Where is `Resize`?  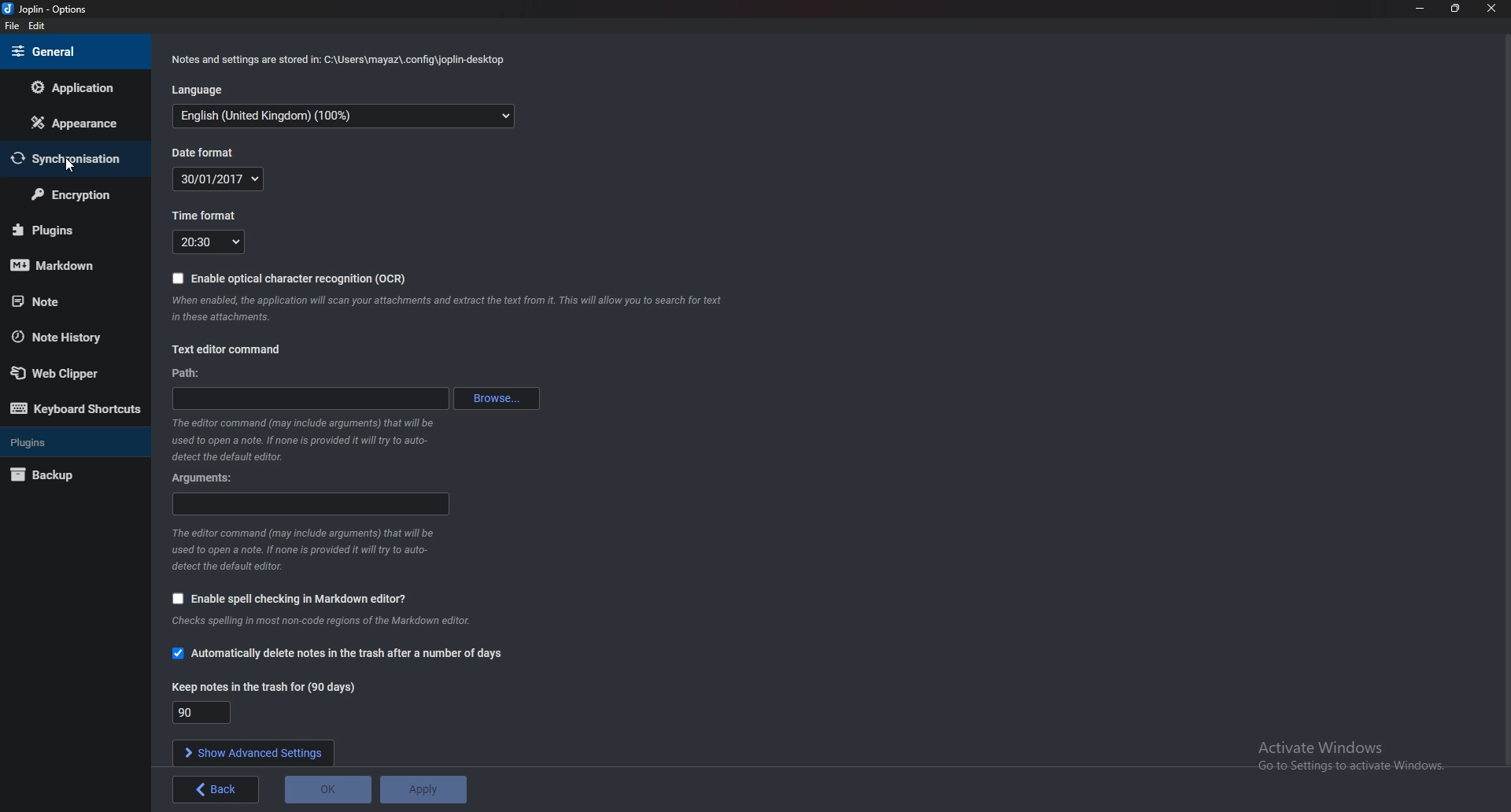 Resize is located at coordinates (1457, 9).